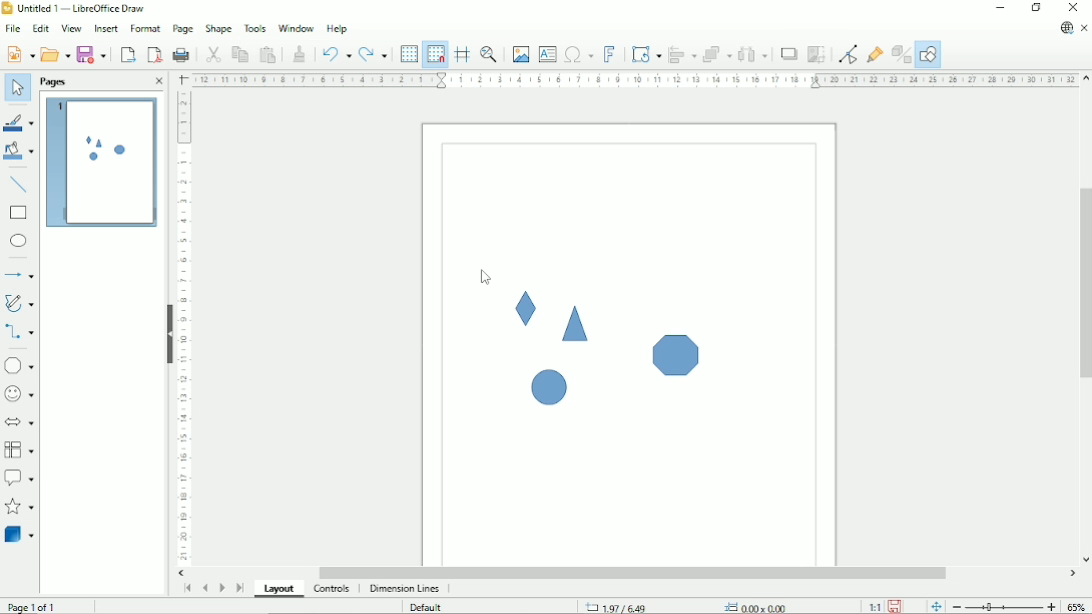 The height and width of the screenshot is (614, 1092). Describe the element at coordinates (634, 79) in the screenshot. I see `Horizontal scale` at that location.